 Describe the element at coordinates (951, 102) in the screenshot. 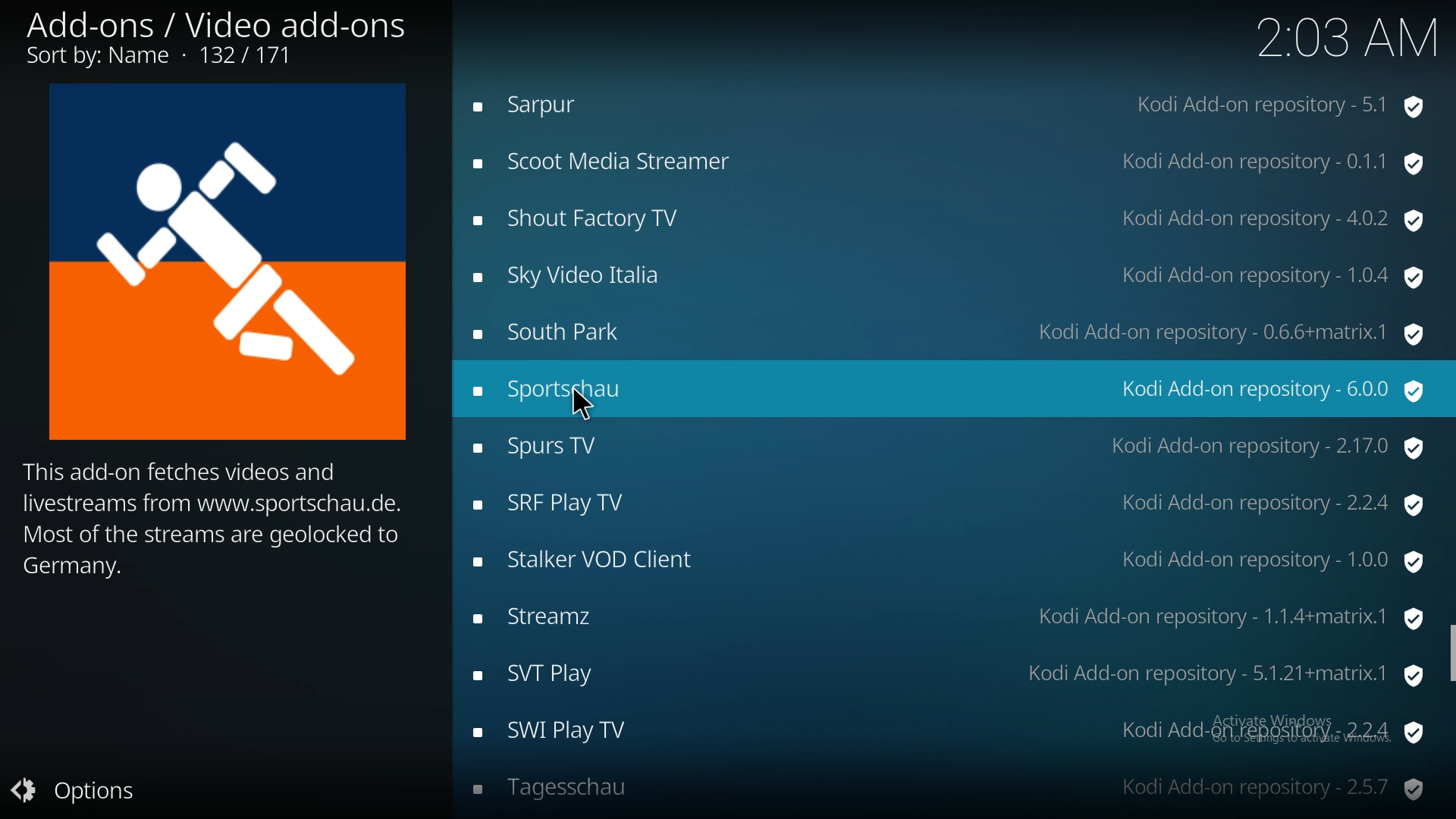

I see `sarpur` at that location.